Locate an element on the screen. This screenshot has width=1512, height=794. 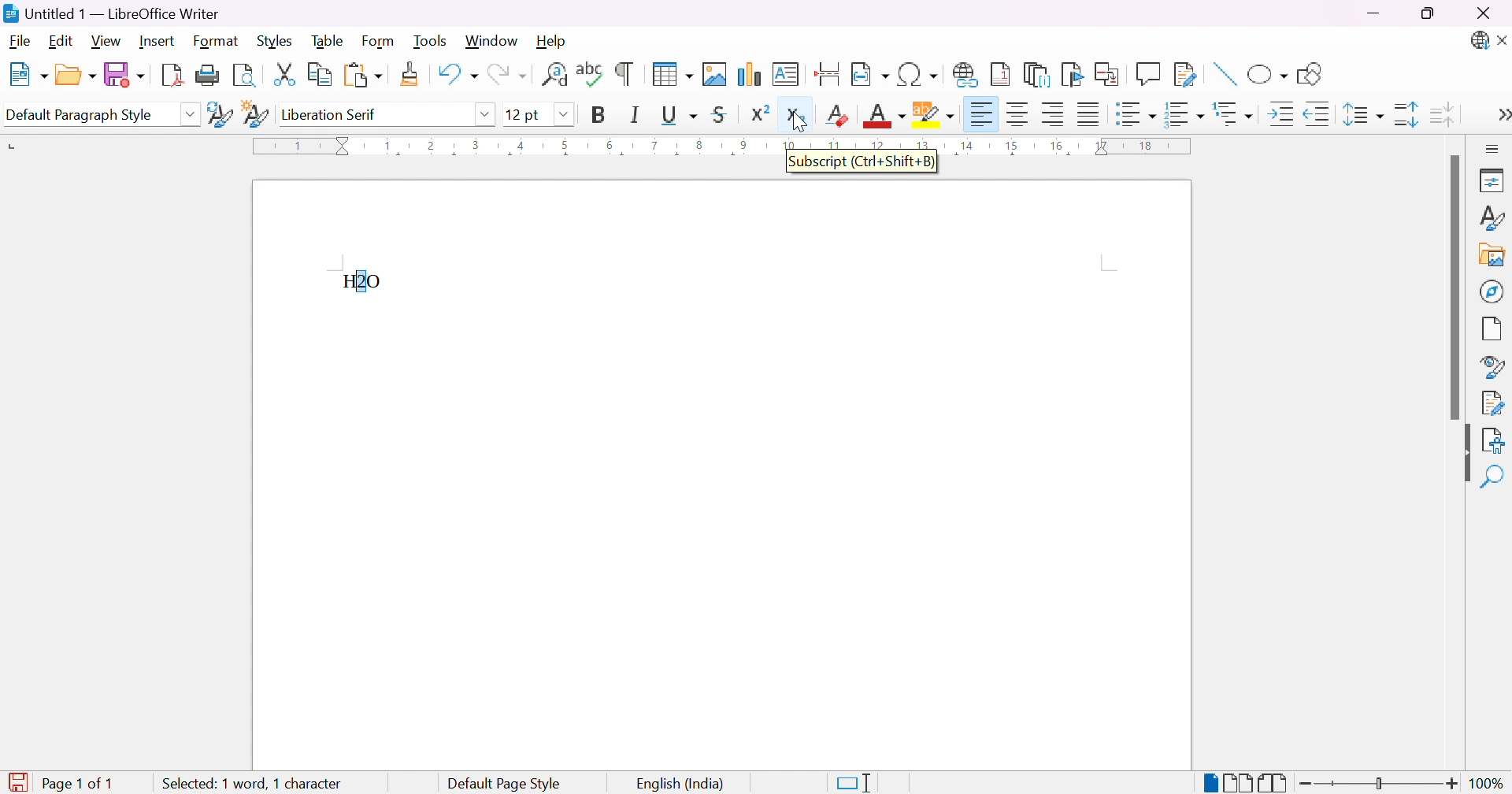
Save is located at coordinates (122, 73).